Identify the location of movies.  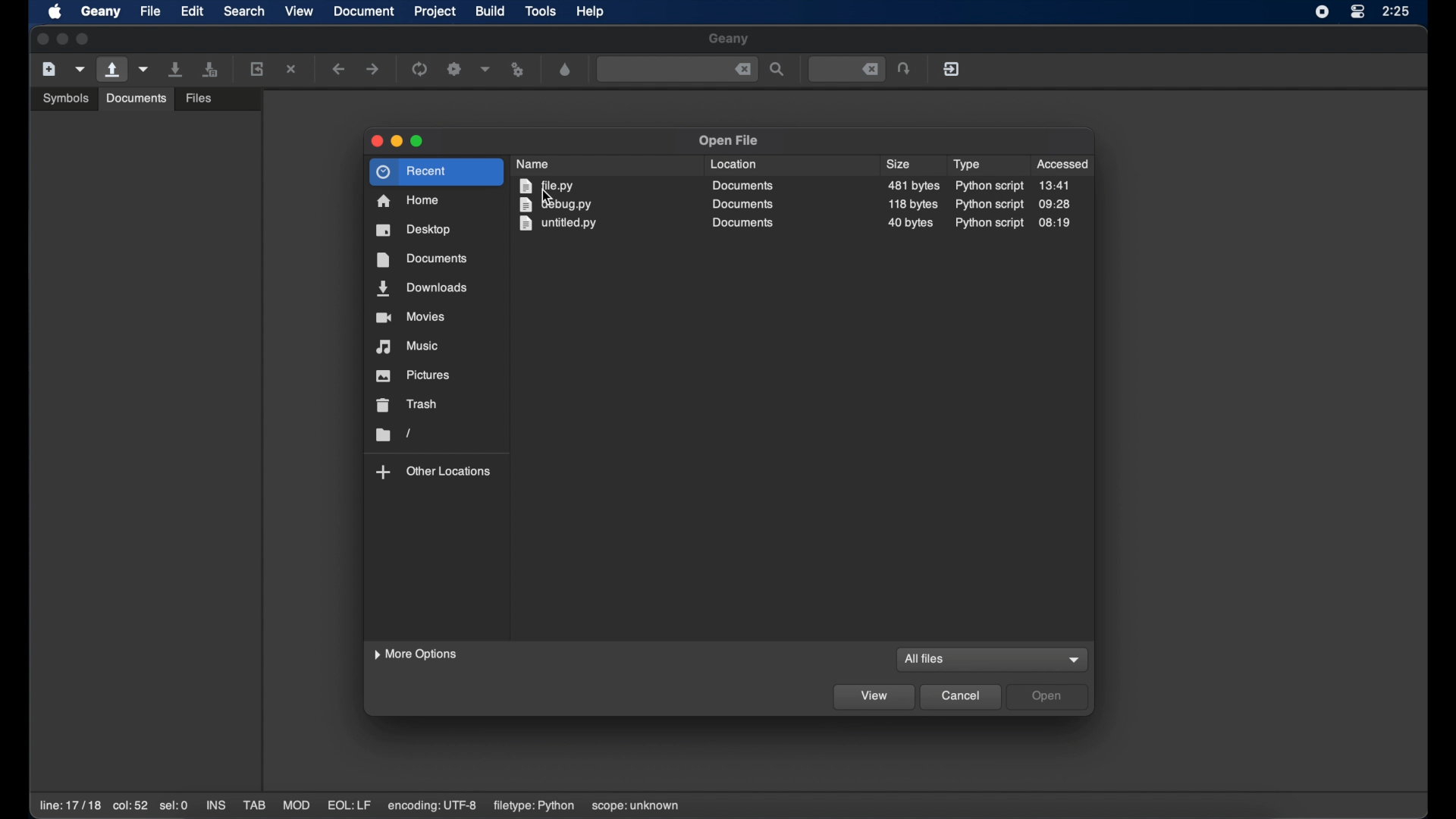
(411, 318).